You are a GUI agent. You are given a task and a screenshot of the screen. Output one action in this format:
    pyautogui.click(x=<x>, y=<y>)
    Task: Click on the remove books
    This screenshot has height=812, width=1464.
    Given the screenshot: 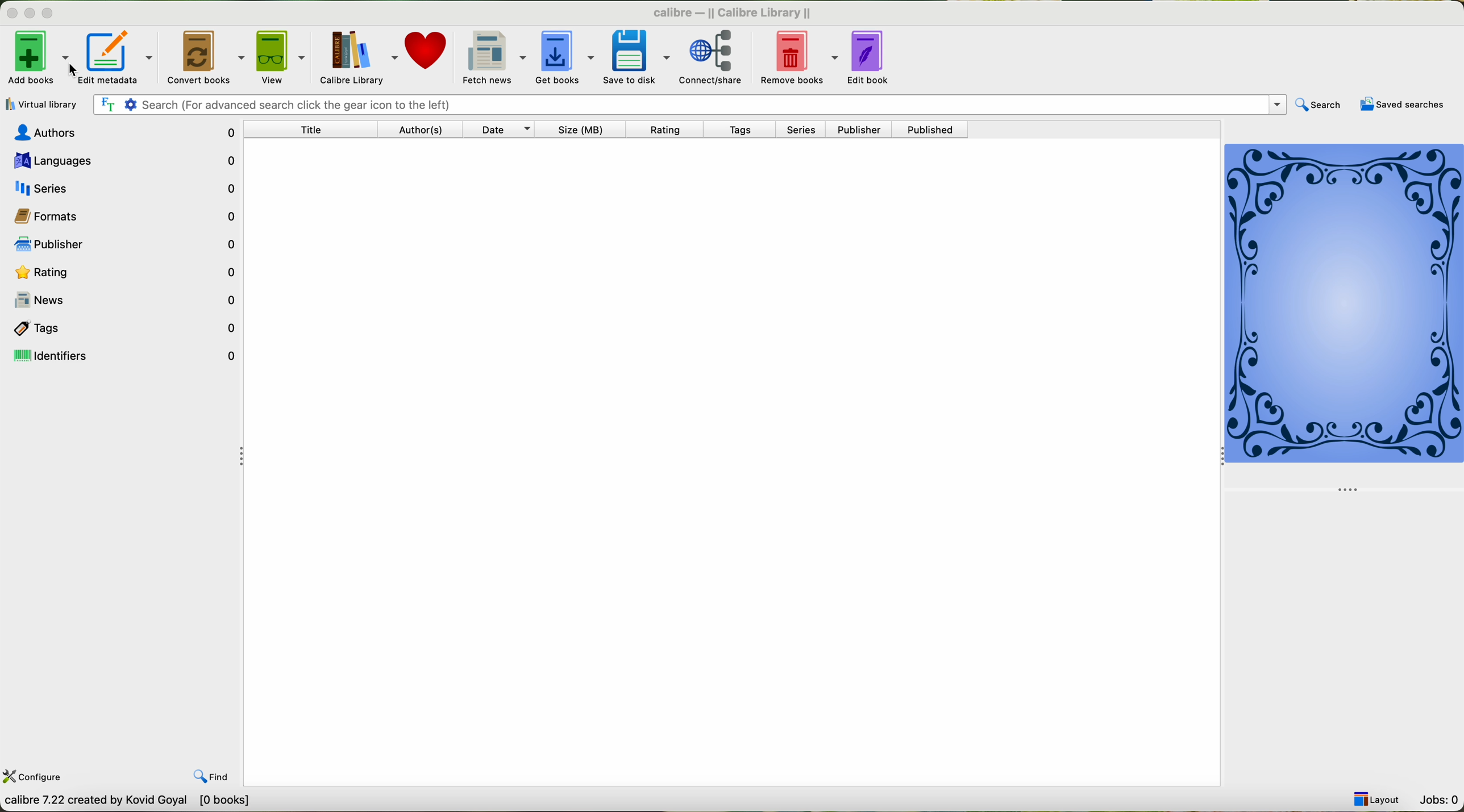 What is the action you would take?
    pyautogui.click(x=798, y=58)
    